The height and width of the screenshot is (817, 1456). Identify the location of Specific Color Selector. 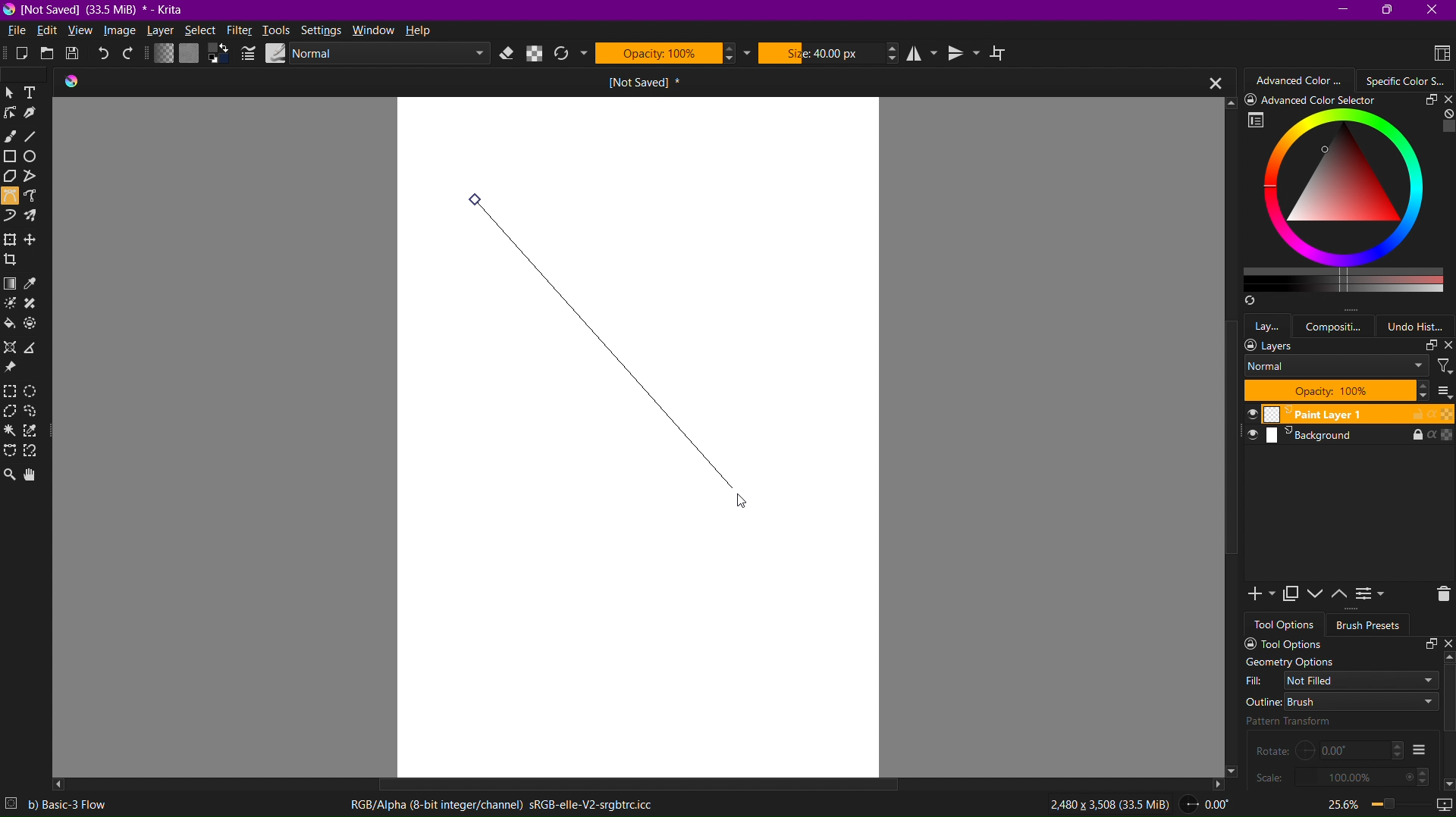
(1346, 202).